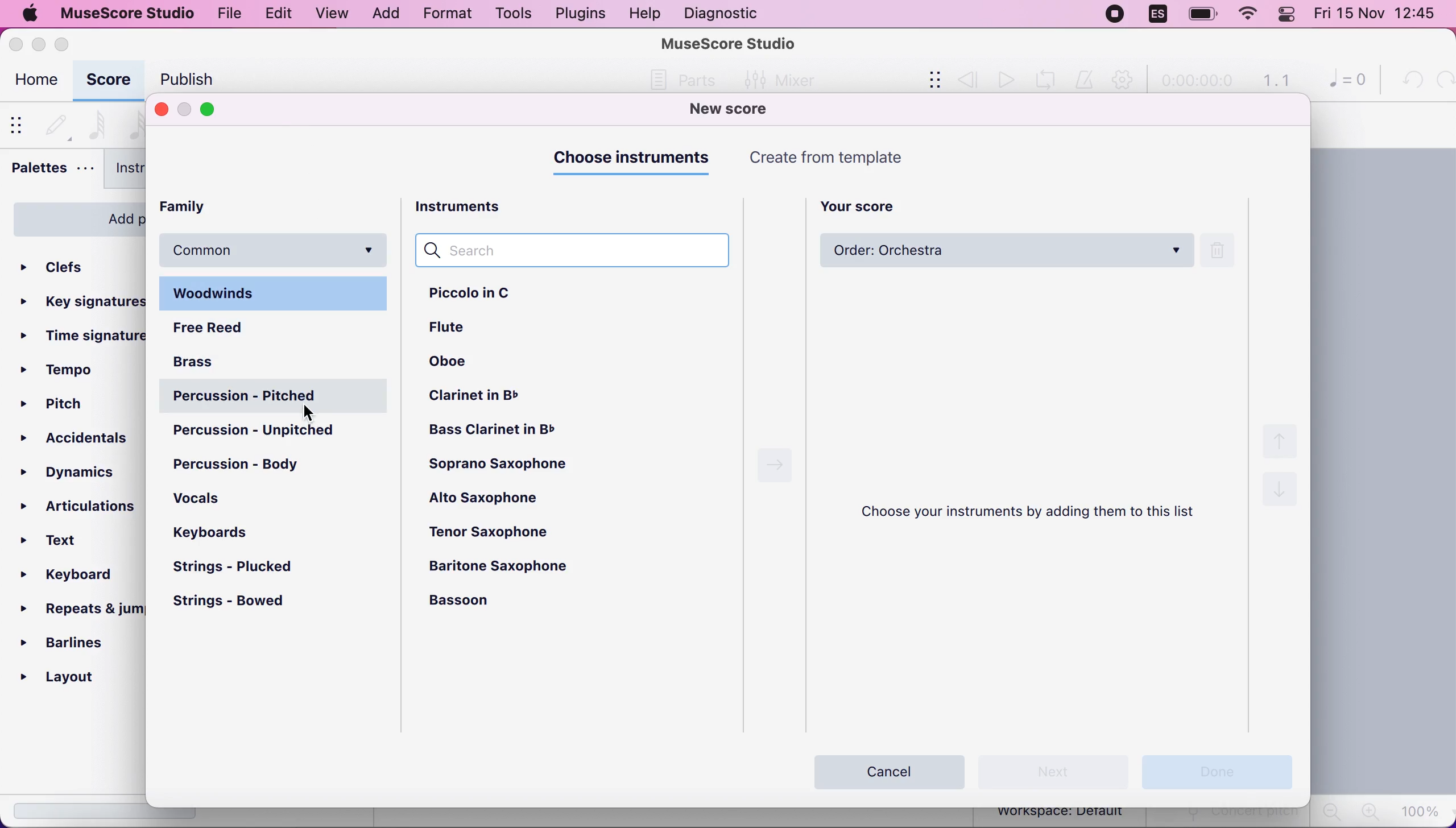 This screenshot has height=828, width=1456. Describe the element at coordinates (184, 79) in the screenshot. I see `publish` at that location.